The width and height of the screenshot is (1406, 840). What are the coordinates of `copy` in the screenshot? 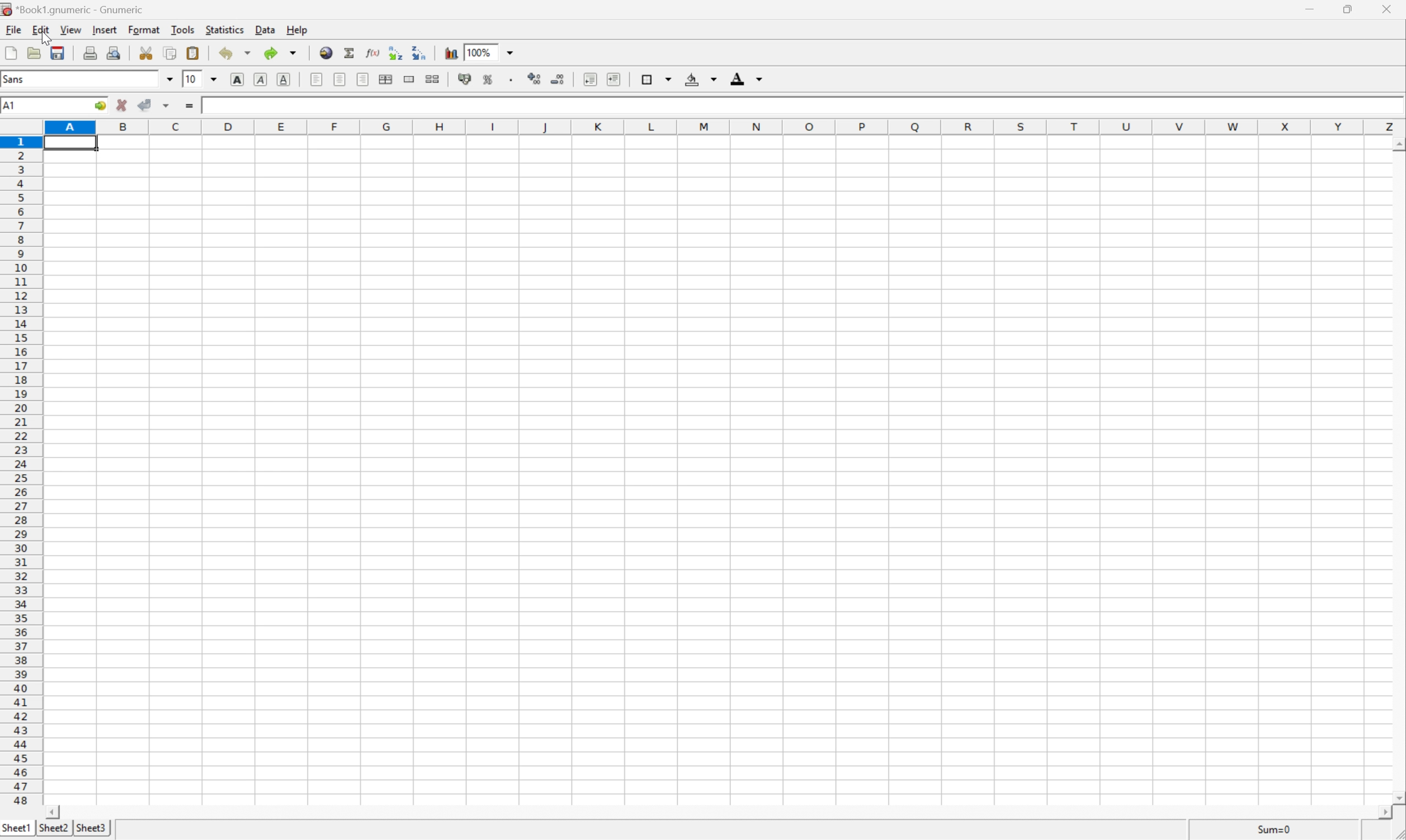 It's located at (169, 52).